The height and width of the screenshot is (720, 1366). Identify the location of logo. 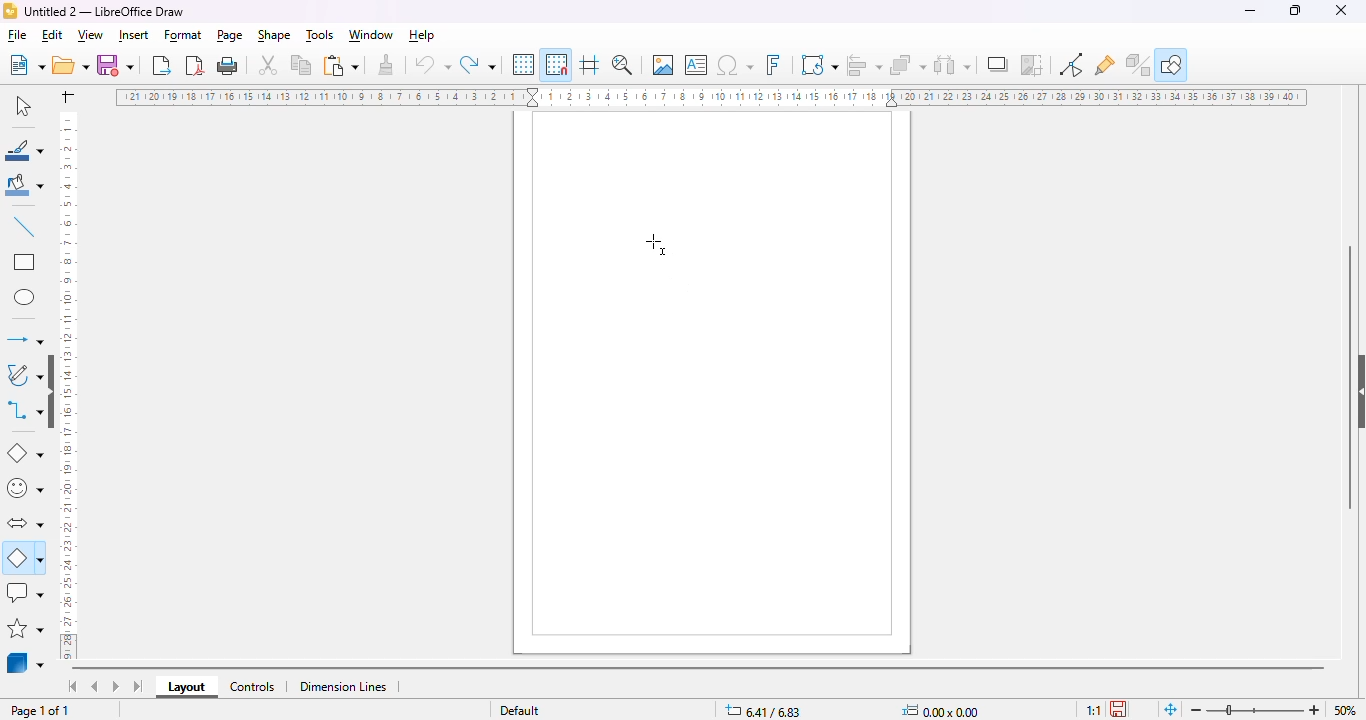
(10, 11).